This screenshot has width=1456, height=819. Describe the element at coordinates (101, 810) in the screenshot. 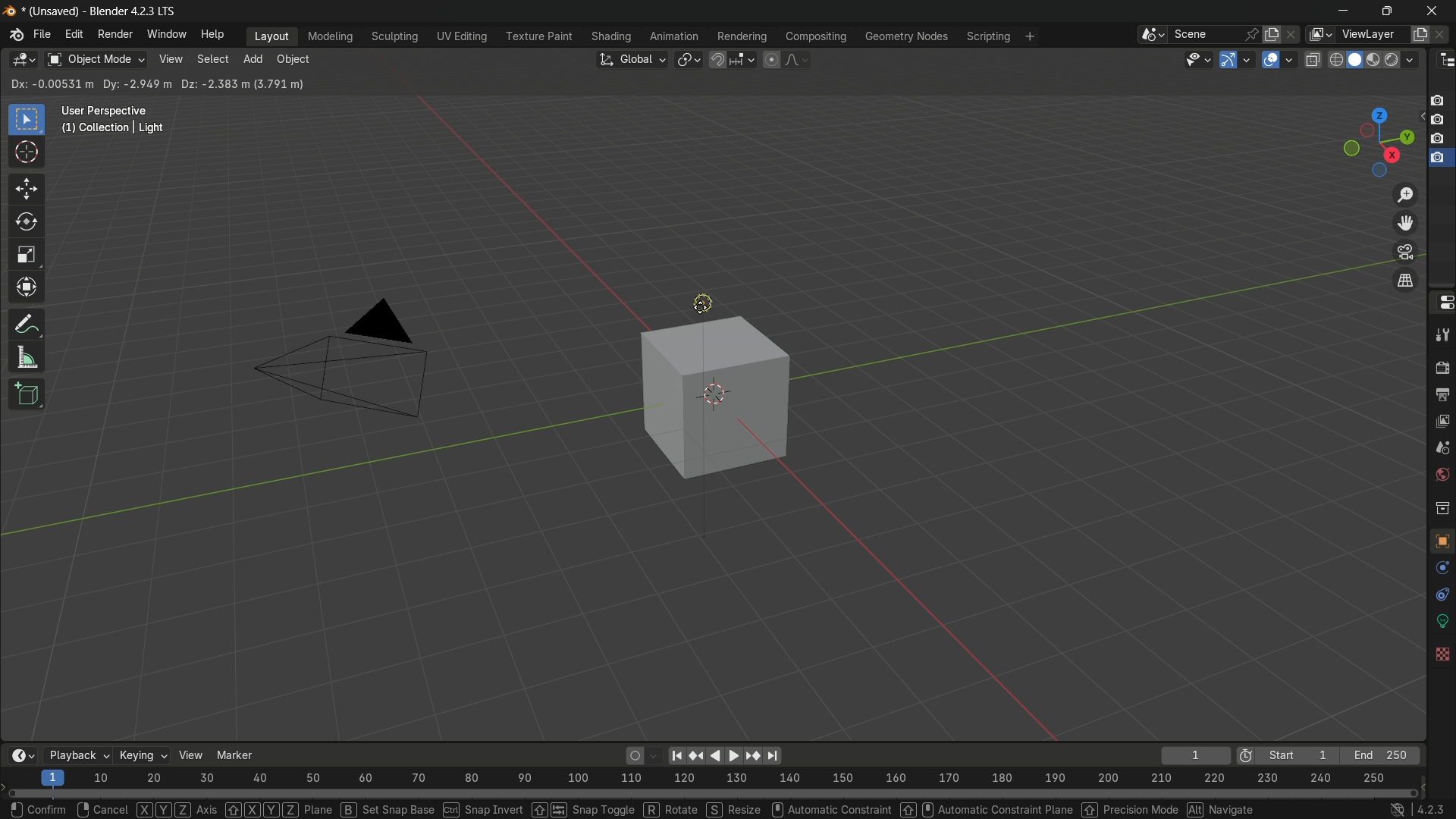

I see `cancel` at that location.